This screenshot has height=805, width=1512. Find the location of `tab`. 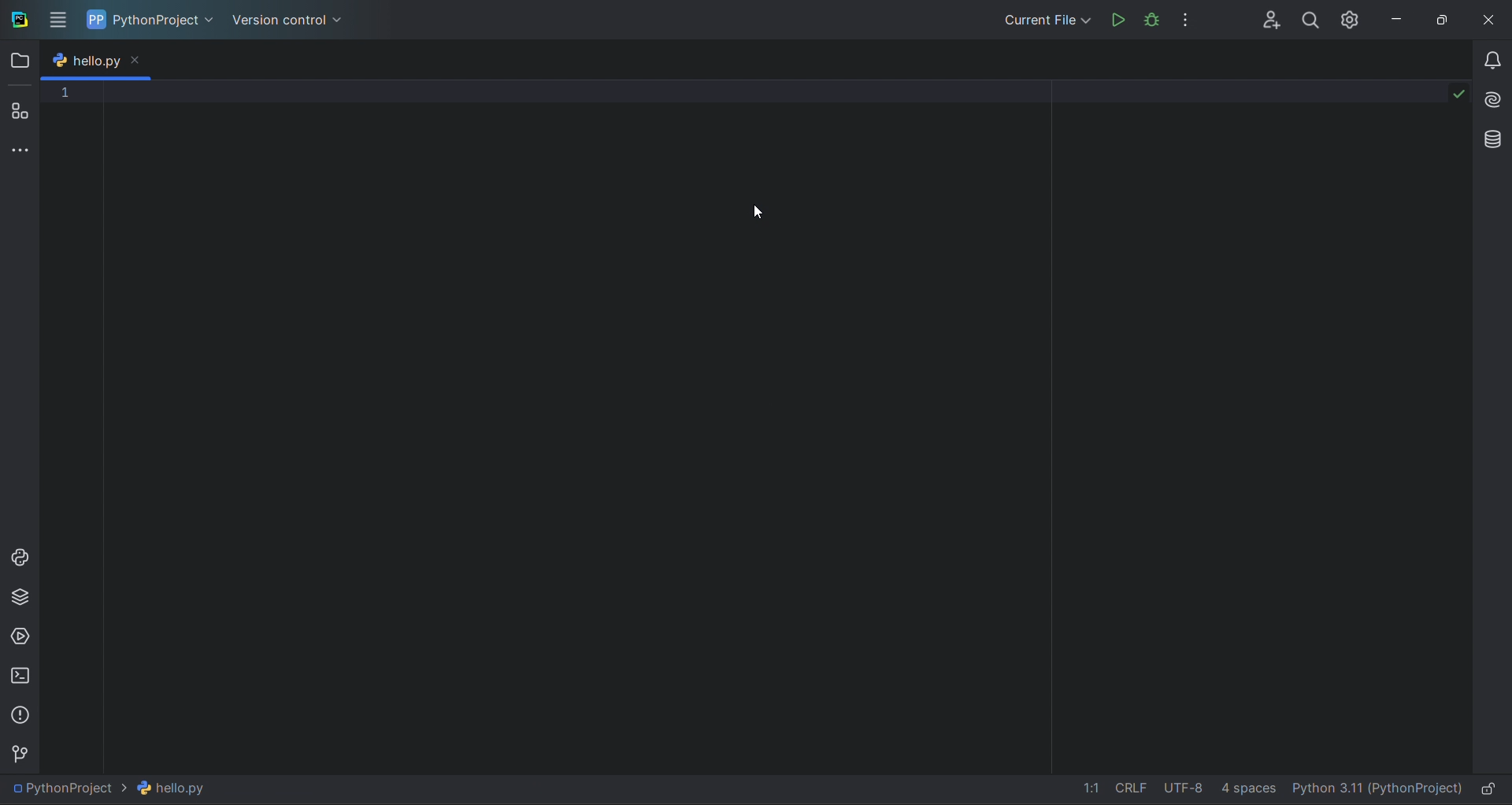

tab is located at coordinates (83, 61).